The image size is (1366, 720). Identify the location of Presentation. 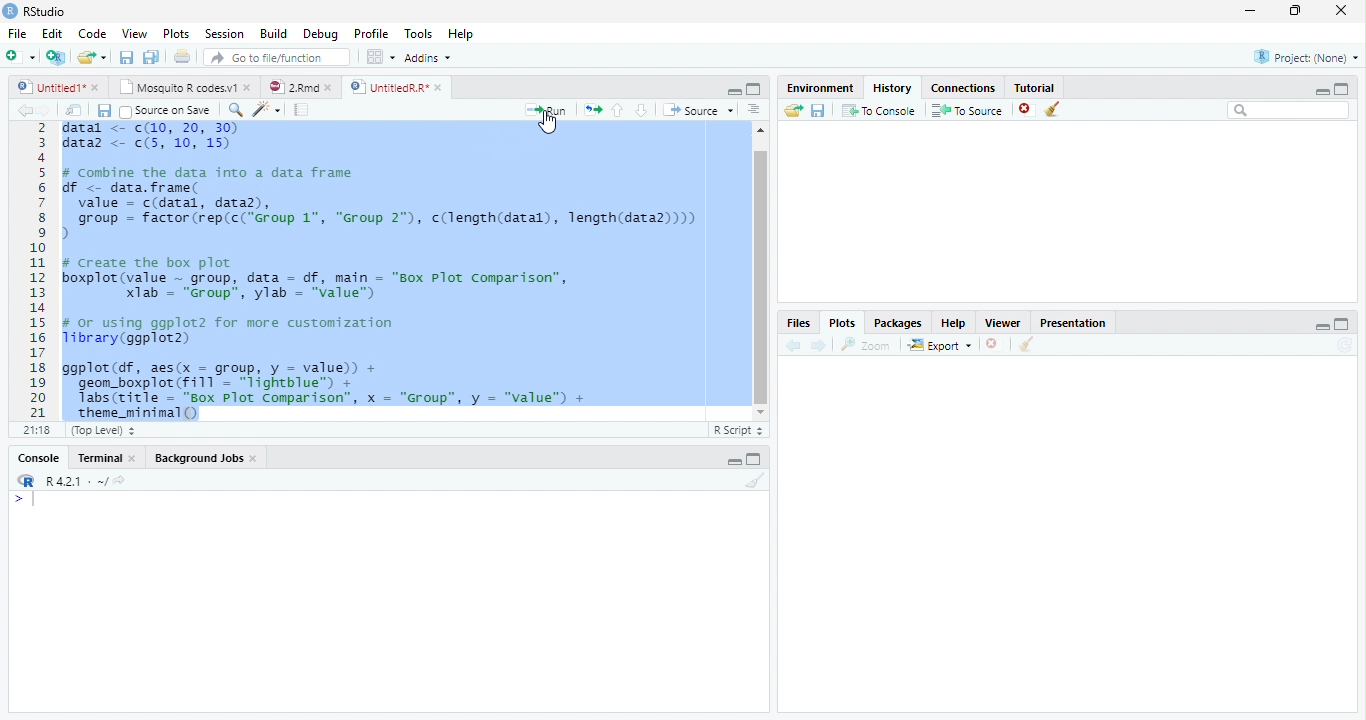
(1072, 323).